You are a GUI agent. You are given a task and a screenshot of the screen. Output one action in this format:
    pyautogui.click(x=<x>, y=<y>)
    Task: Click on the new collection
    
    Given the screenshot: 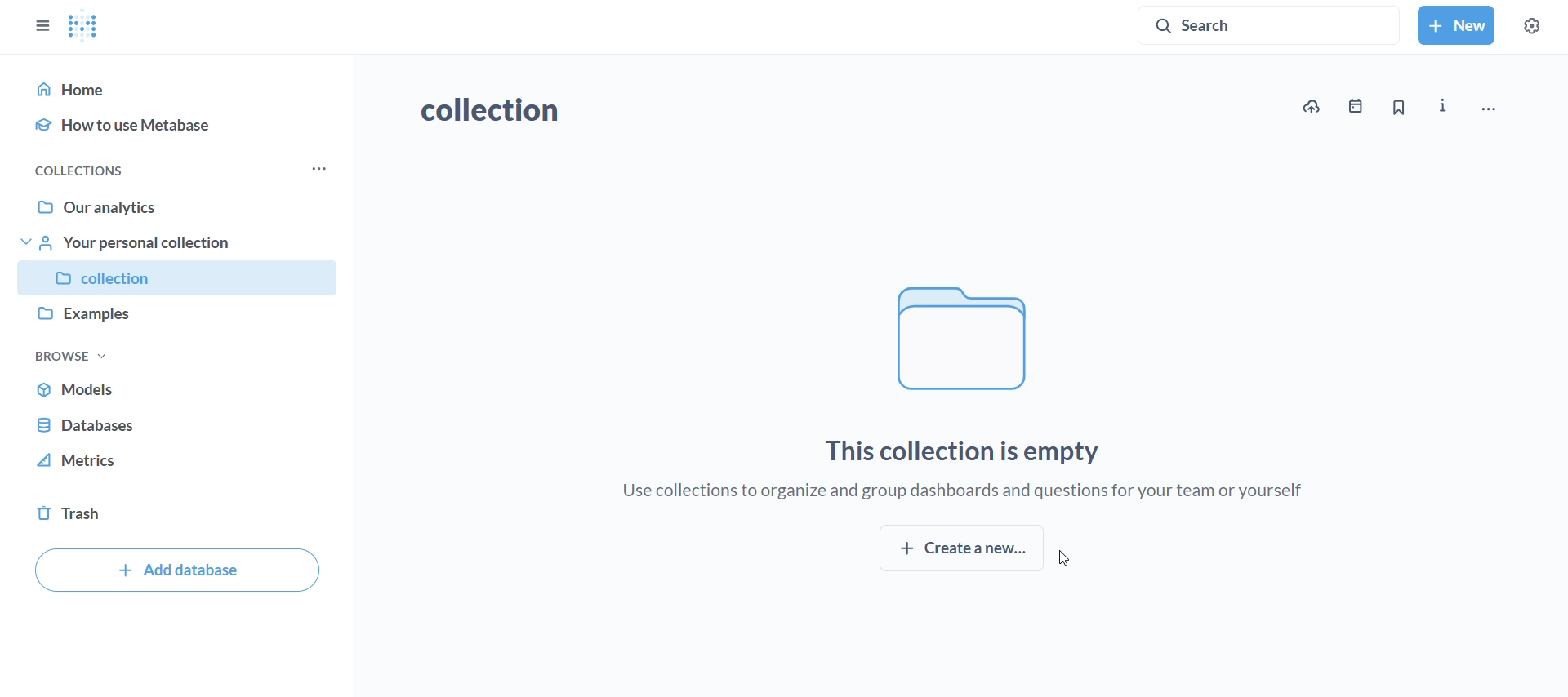 What is the action you would take?
    pyautogui.click(x=1458, y=25)
    